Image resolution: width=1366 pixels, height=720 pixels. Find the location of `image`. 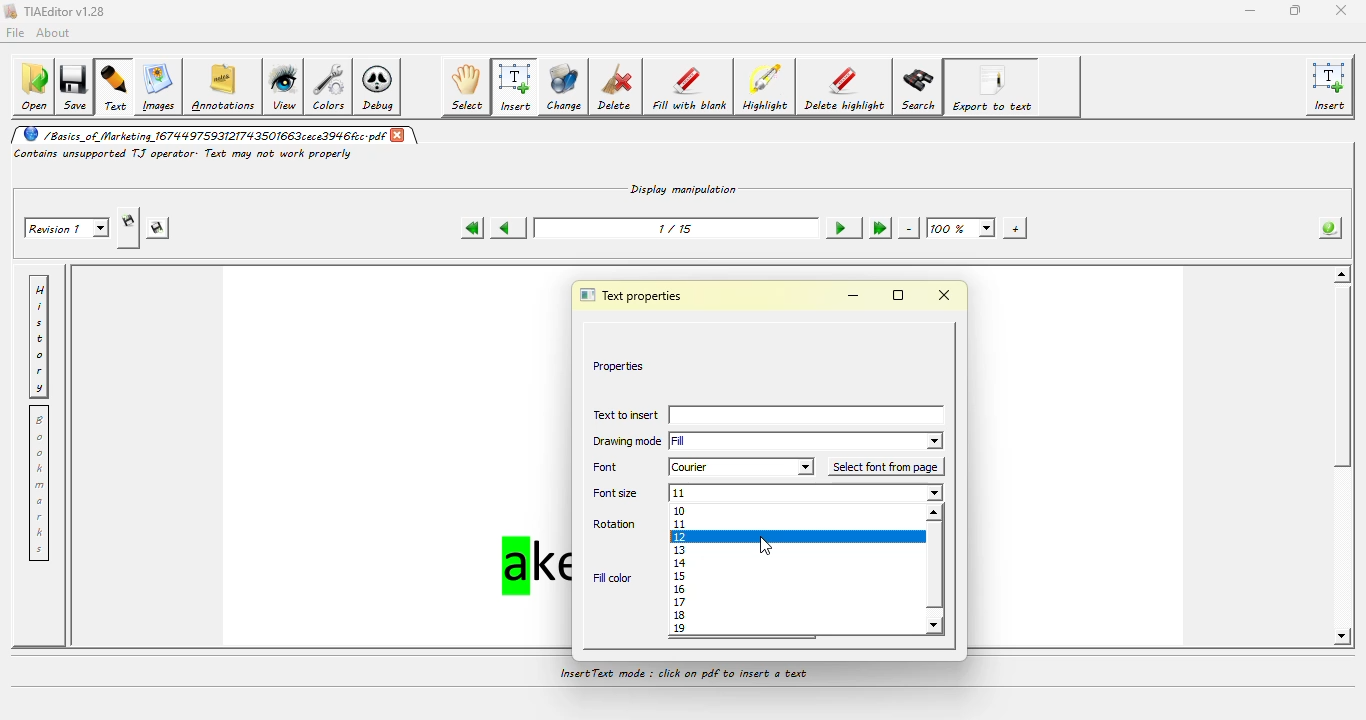

image is located at coordinates (159, 86).